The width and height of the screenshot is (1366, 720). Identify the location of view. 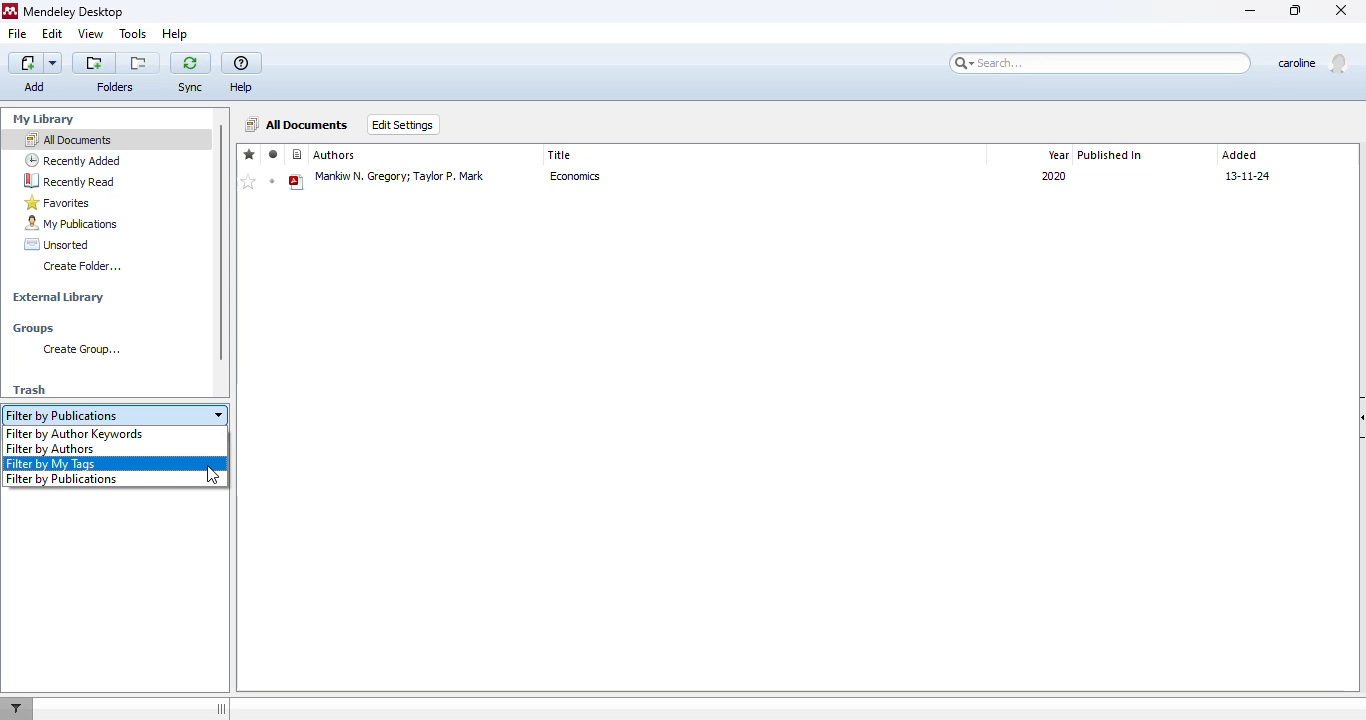
(91, 33).